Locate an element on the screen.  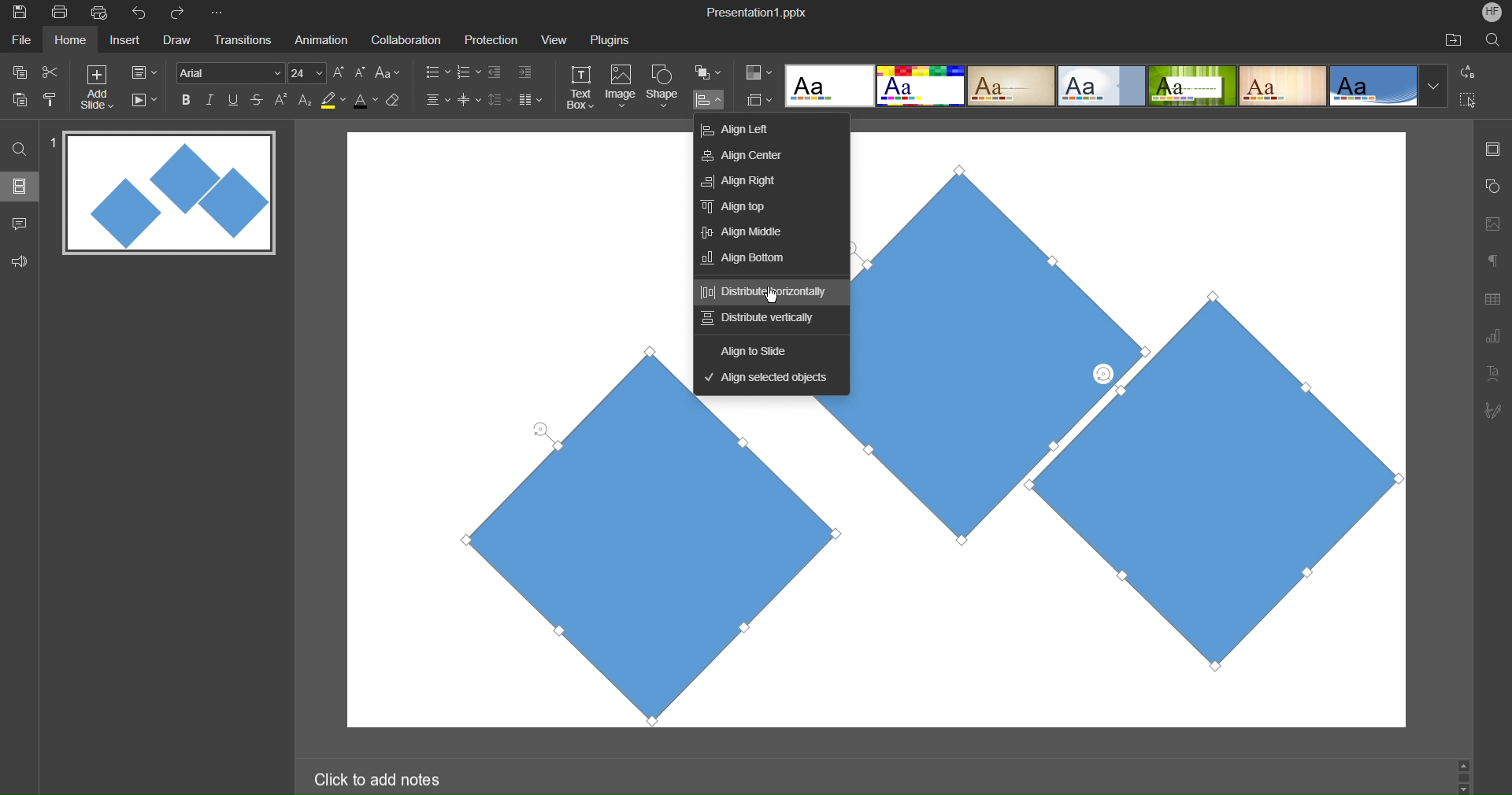
Playback is located at coordinates (143, 101).